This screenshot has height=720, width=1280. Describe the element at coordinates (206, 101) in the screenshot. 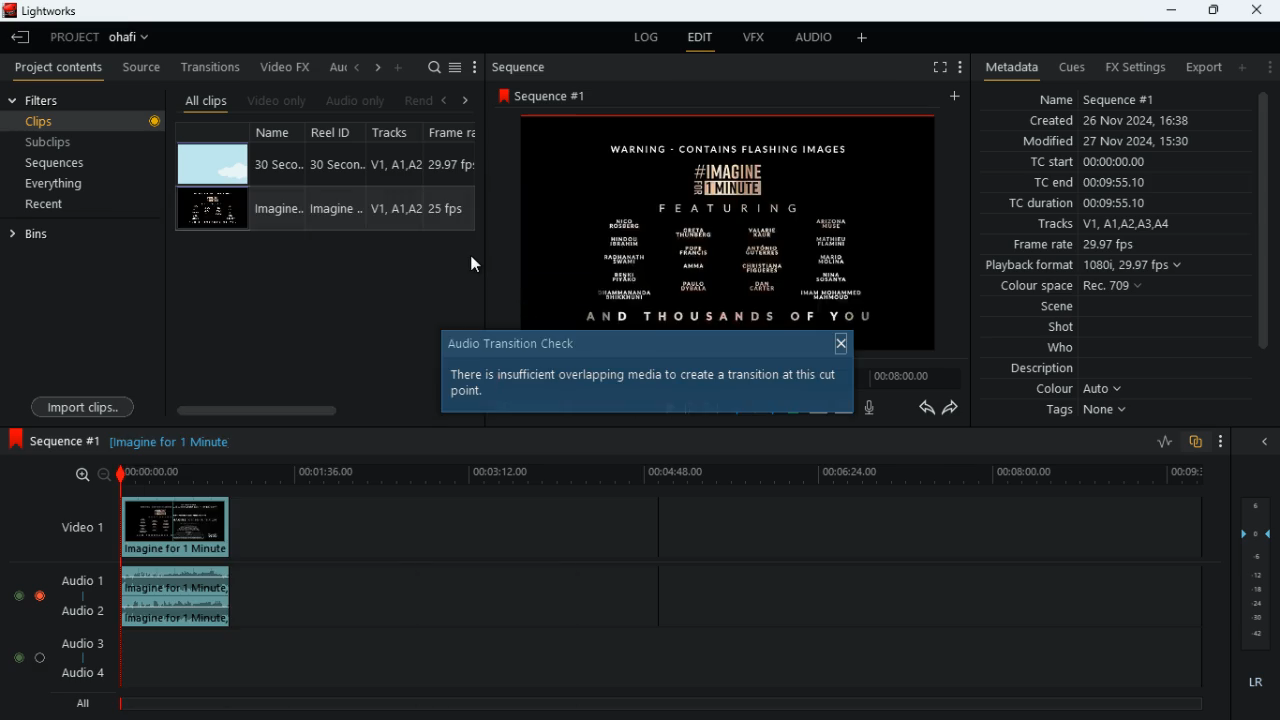

I see `all clips` at that location.